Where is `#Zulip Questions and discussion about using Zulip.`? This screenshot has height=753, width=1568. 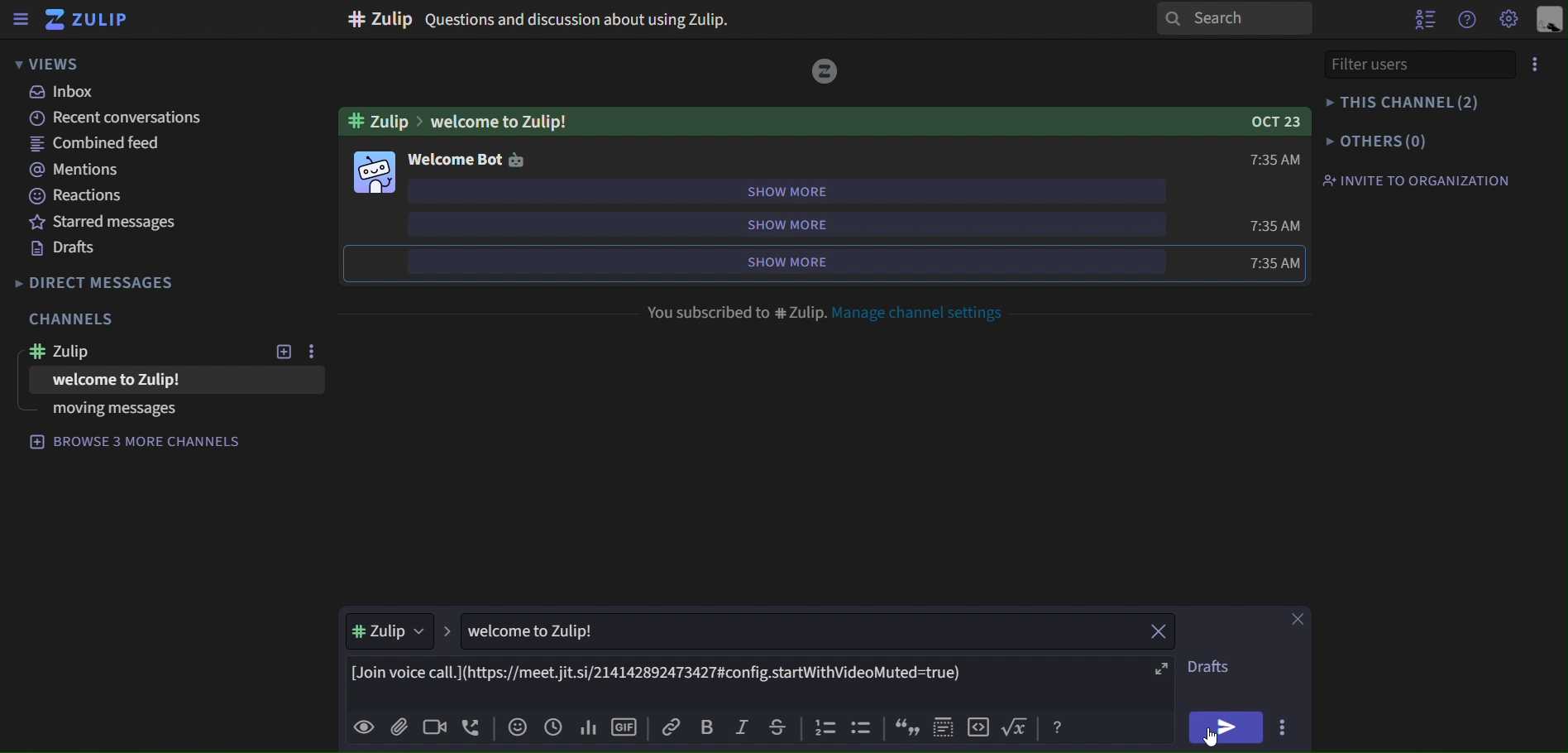
#Zulip Questions and discussion about using Zulip. is located at coordinates (543, 21).